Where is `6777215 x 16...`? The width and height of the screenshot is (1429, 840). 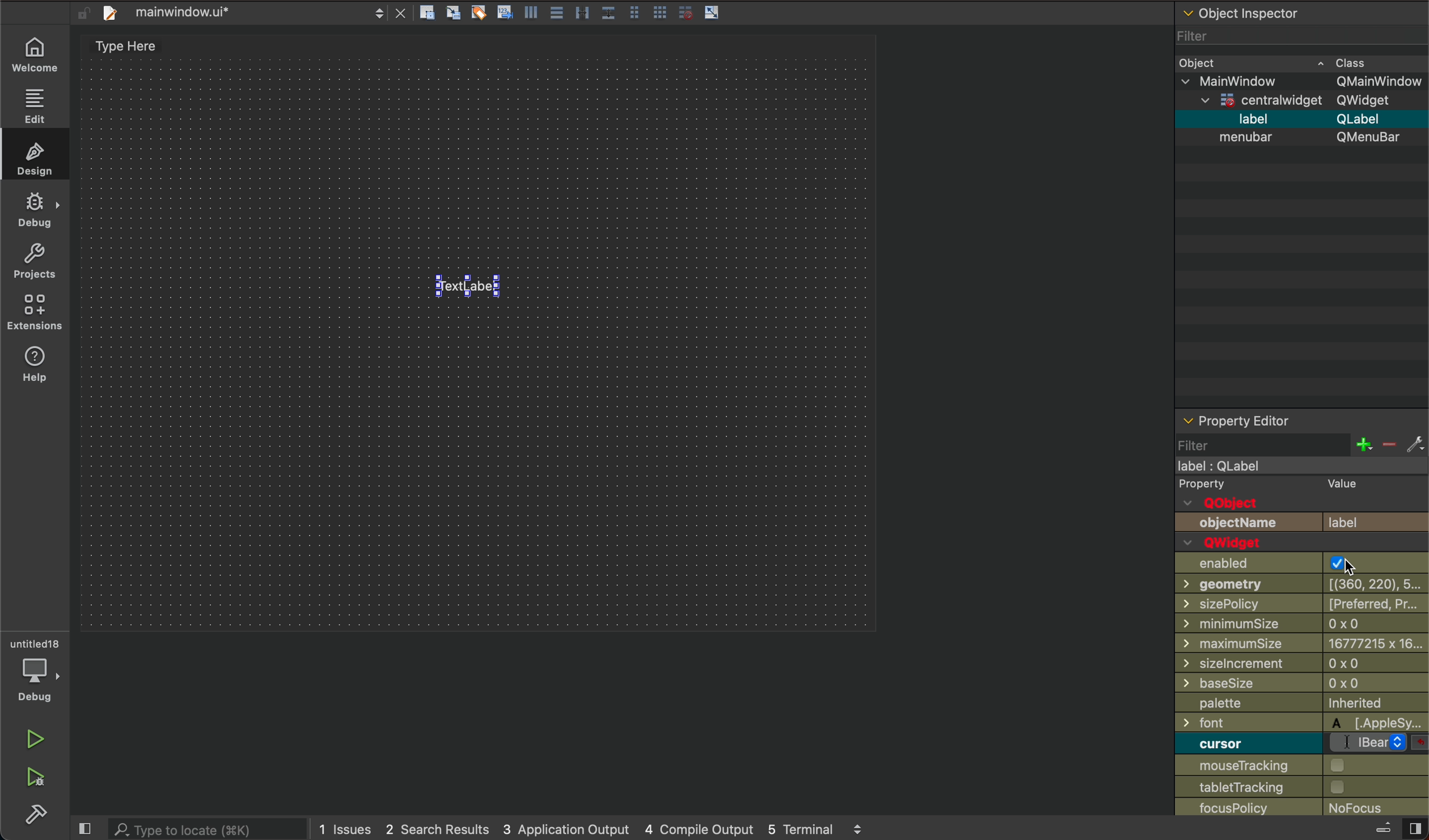 6777215 x 16... is located at coordinates (1373, 643).